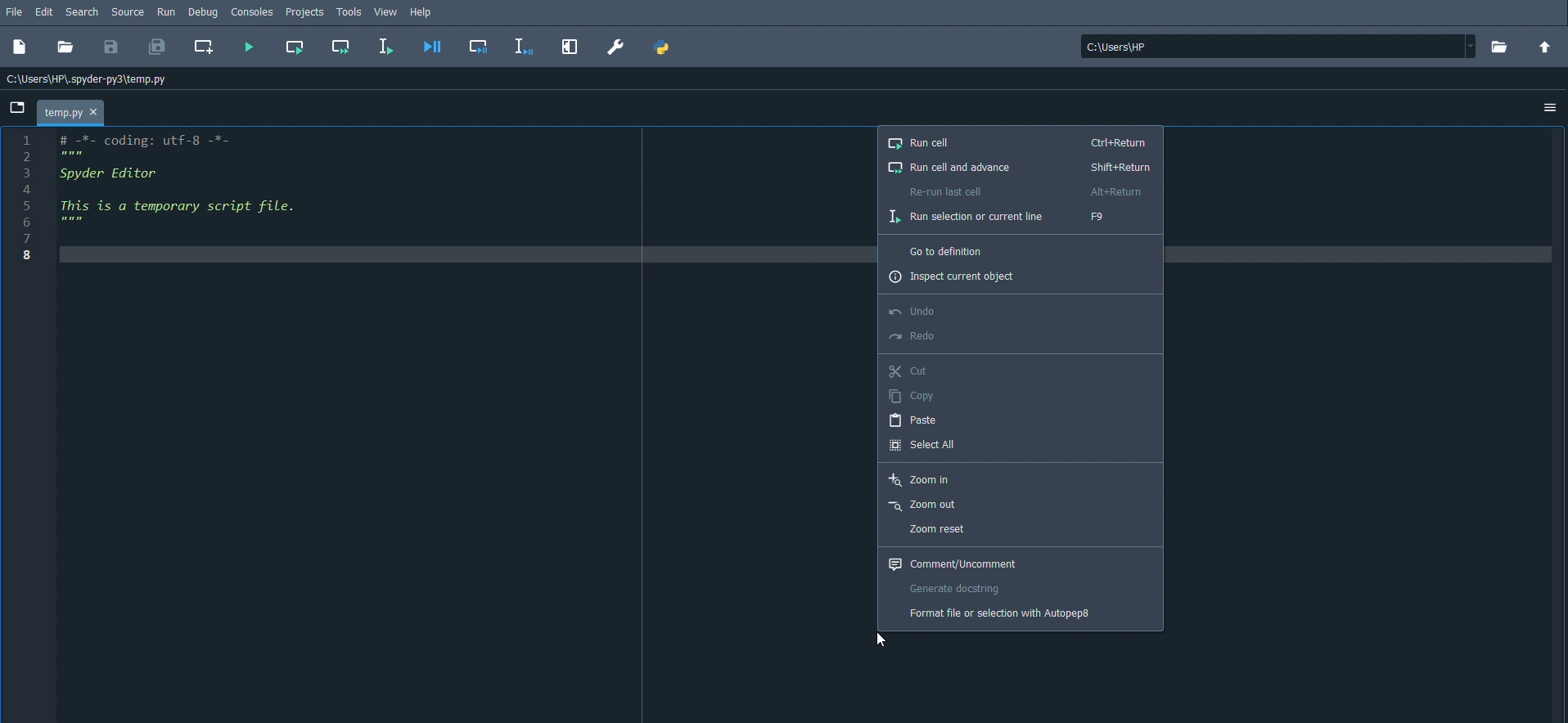  What do you see at coordinates (167, 13) in the screenshot?
I see `Run` at bounding box center [167, 13].